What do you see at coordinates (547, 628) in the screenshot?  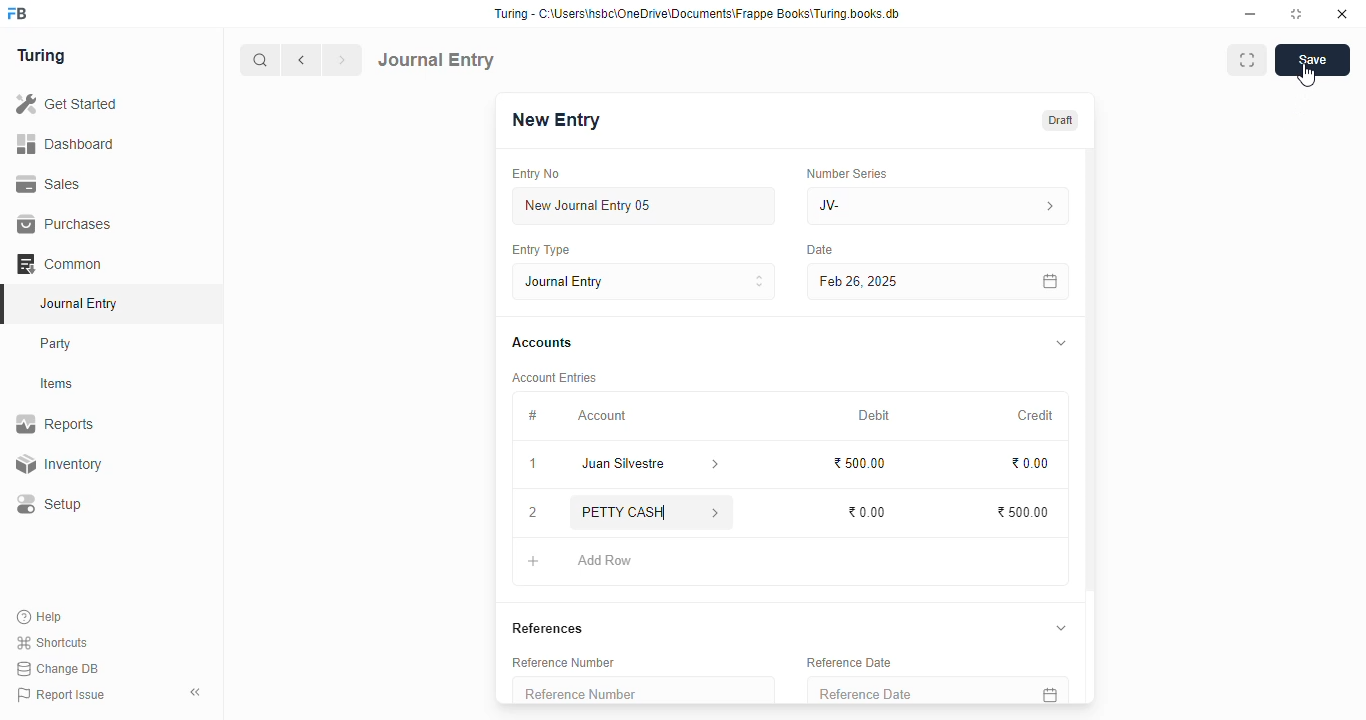 I see `references` at bounding box center [547, 628].